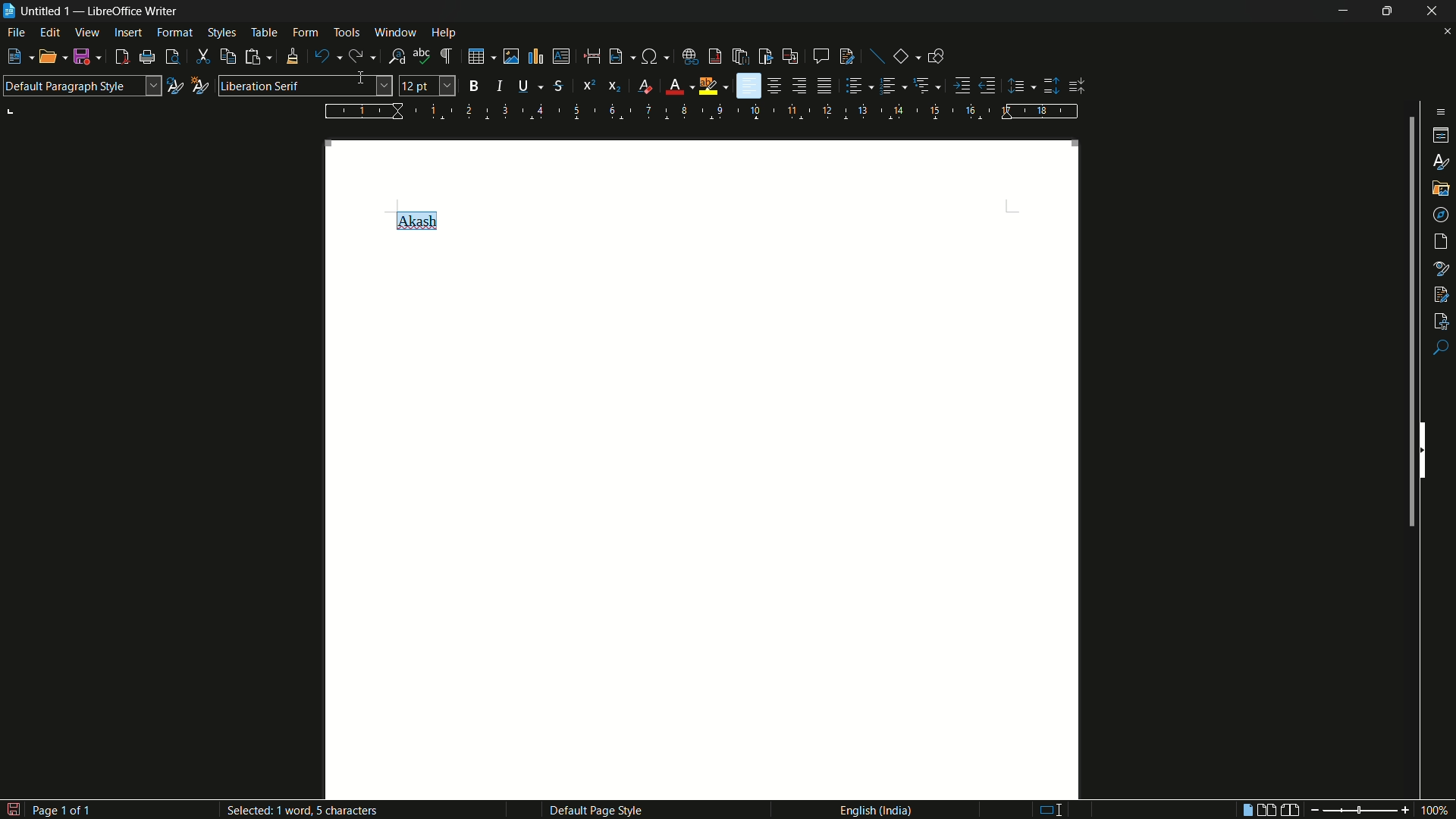 Image resolution: width=1456 pixels, height=819 pixels. Describe the element at coordinates (1442, 242) in the screenshot. I see `page` at that location.